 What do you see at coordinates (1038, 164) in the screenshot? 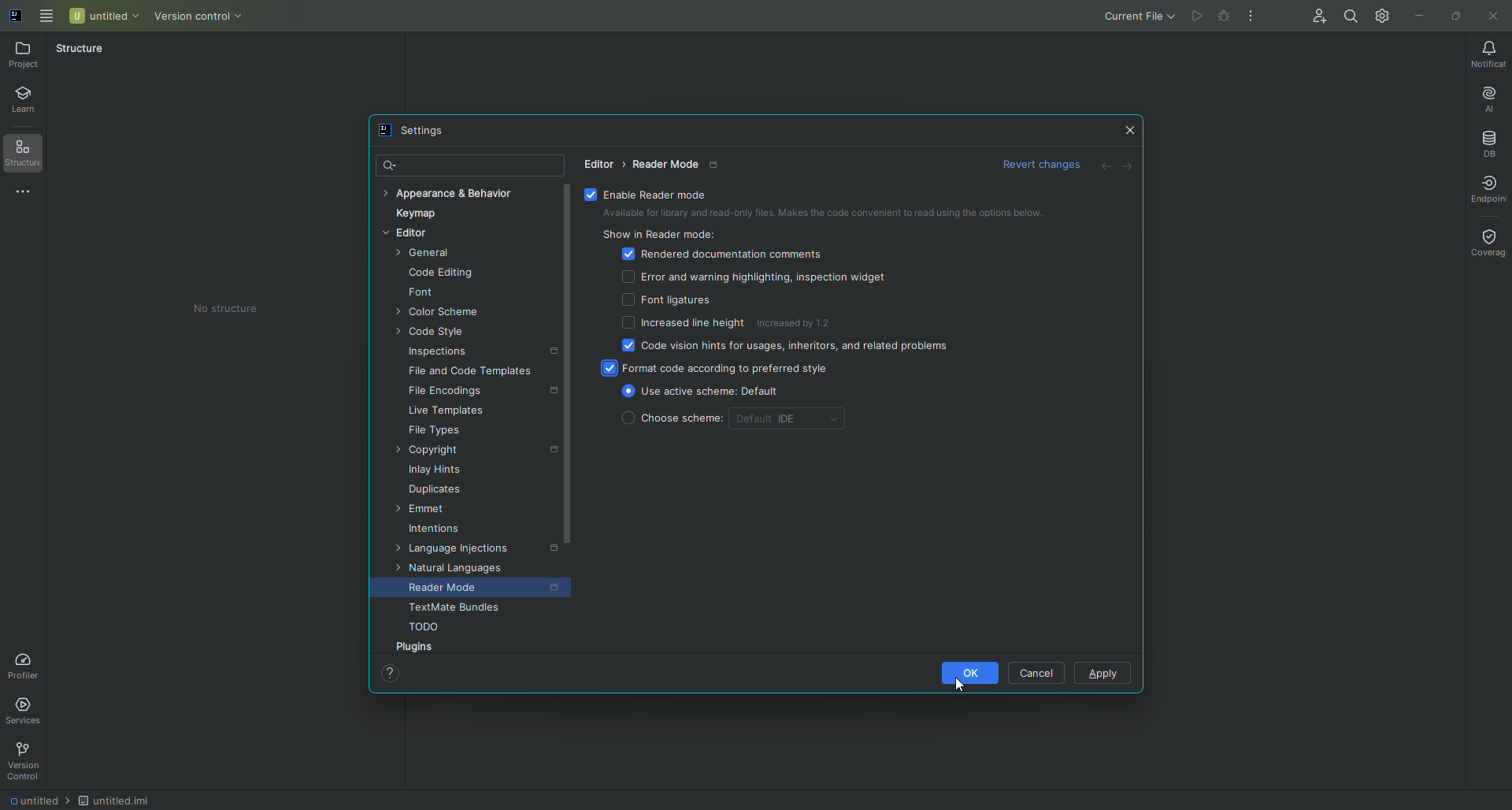
I see `revert changes` at bounding box center [1038, 164].